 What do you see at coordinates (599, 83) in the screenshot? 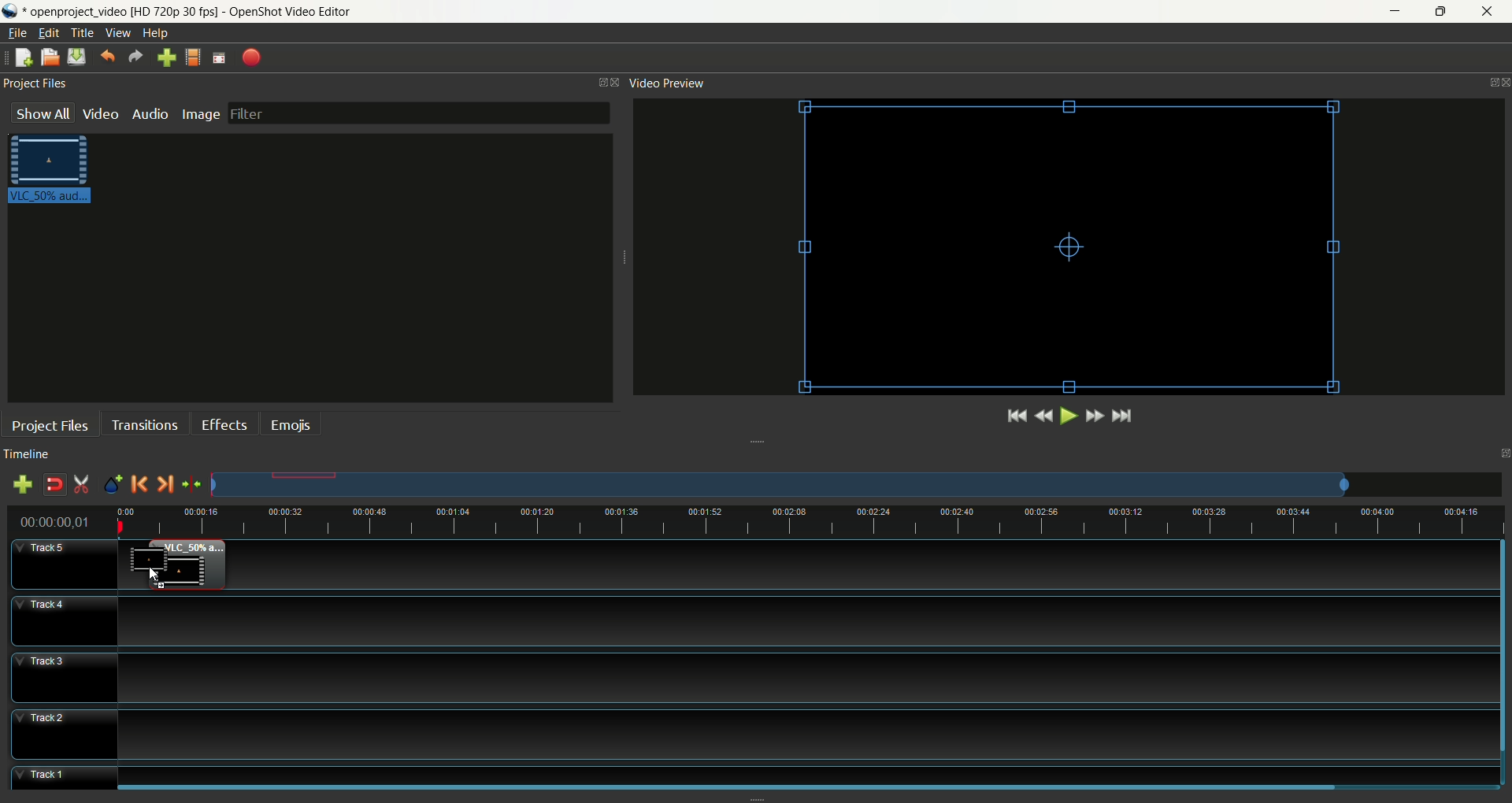
I see `maximize window` at bounding box center [599, 83].